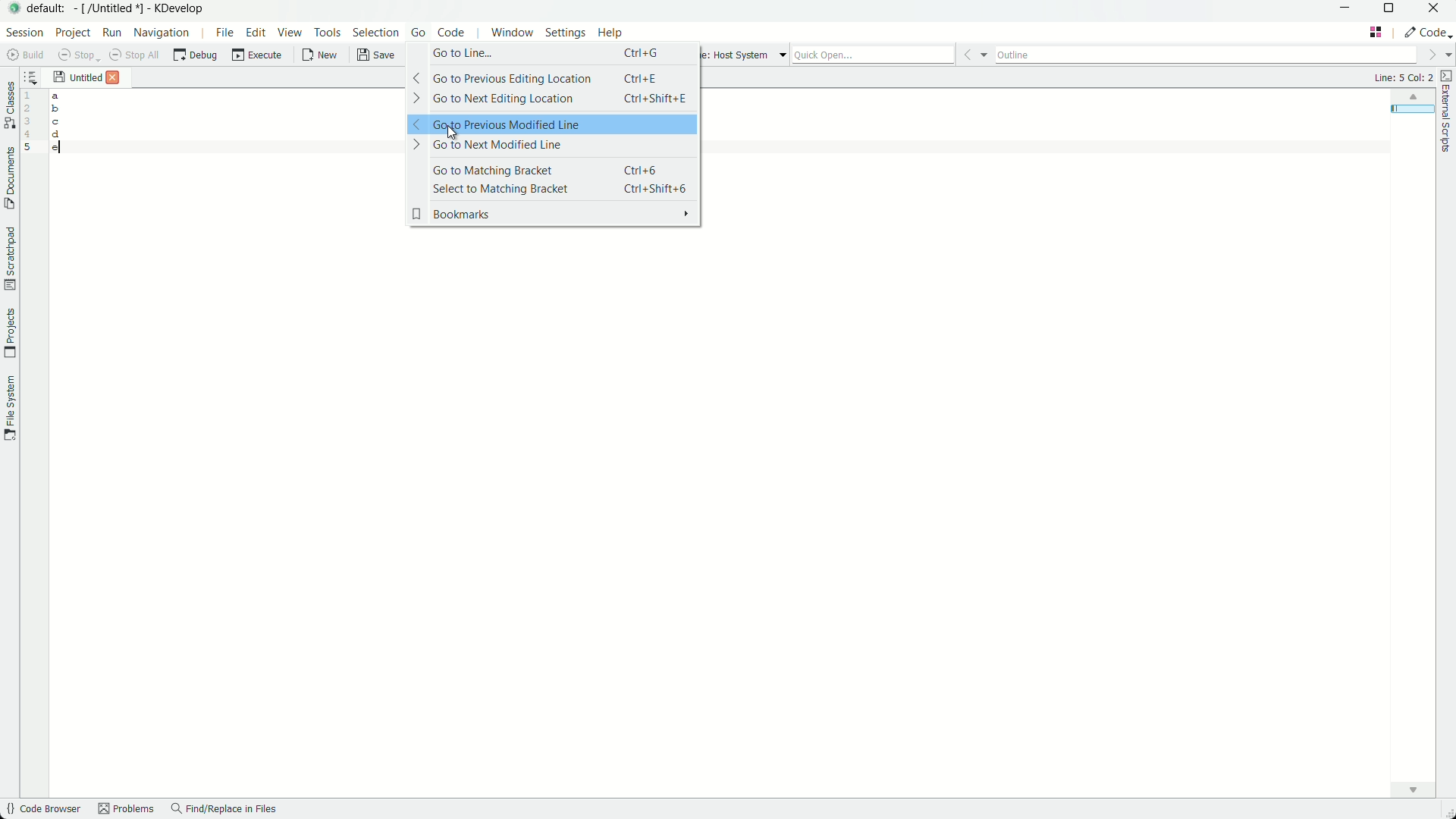 The height and width of the screenshot is (819, 1456). Describe the element at coordinates (1376, 31) in the screenshot. I see `edit layout` at that location.